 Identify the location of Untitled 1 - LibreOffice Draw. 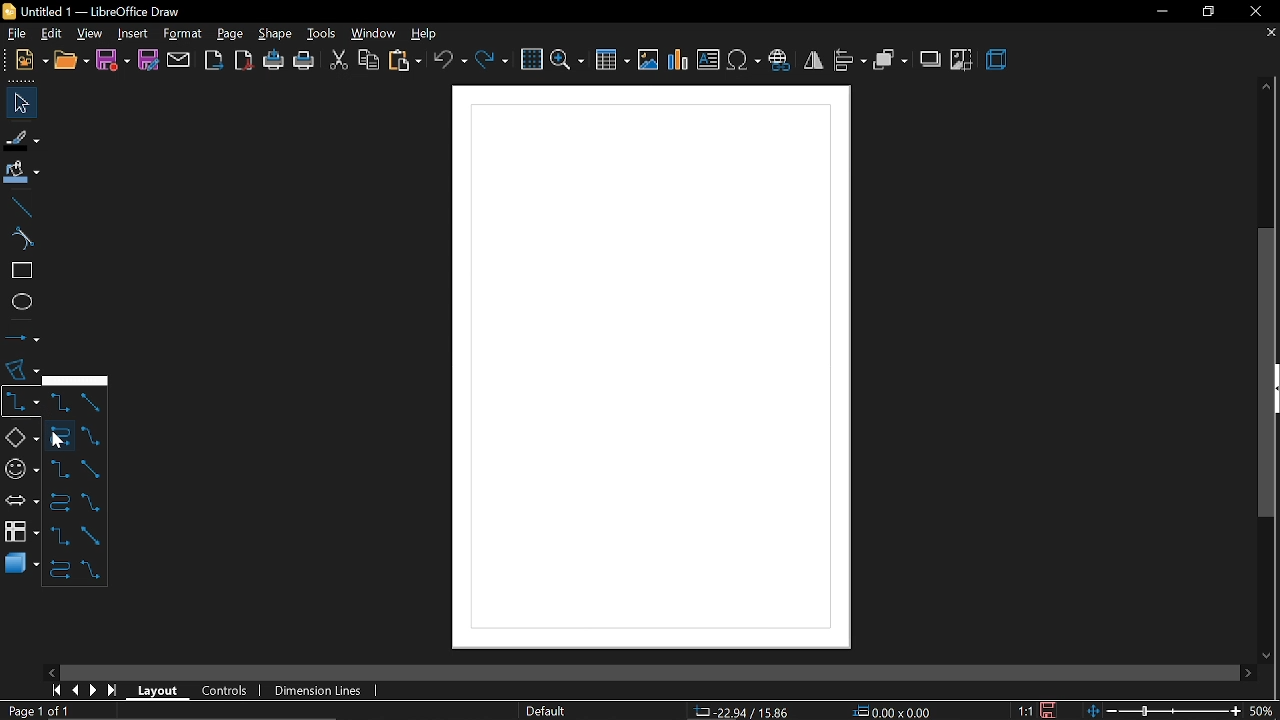
(93, 11).